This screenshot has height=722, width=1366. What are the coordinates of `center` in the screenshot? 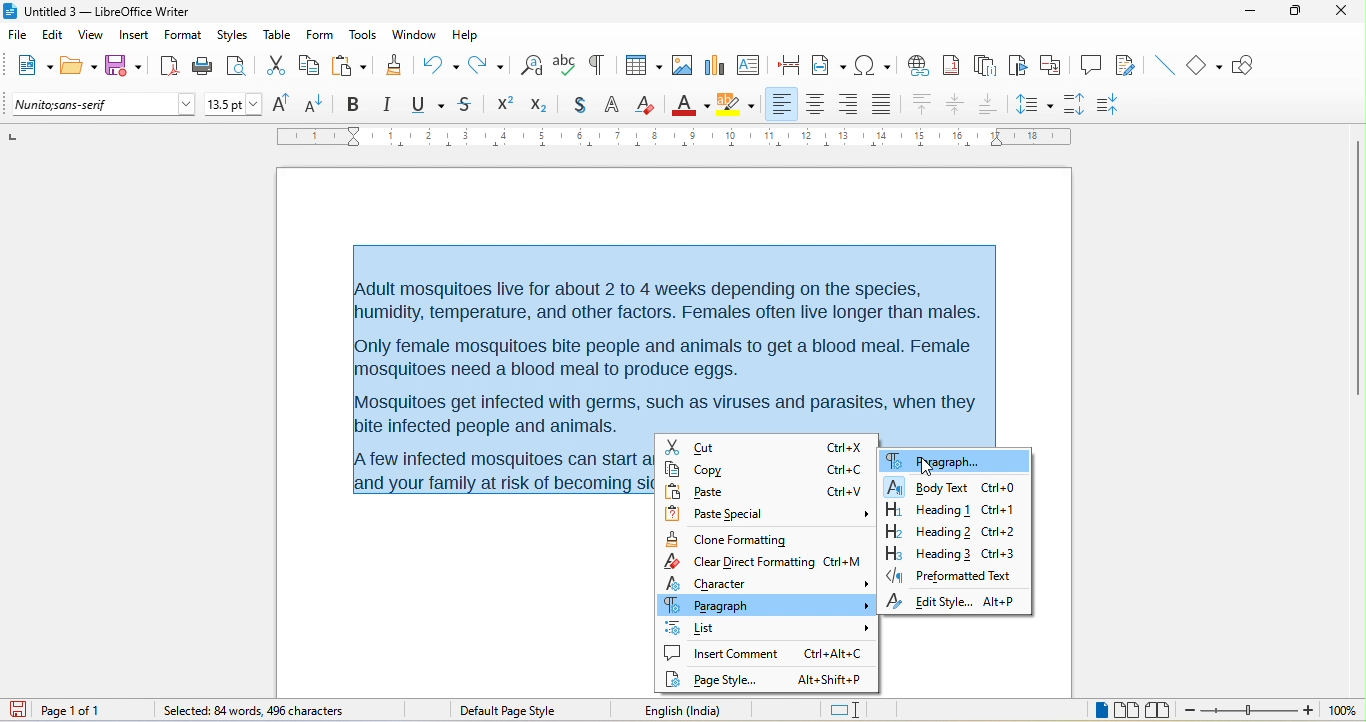 It's located at (957, 105).